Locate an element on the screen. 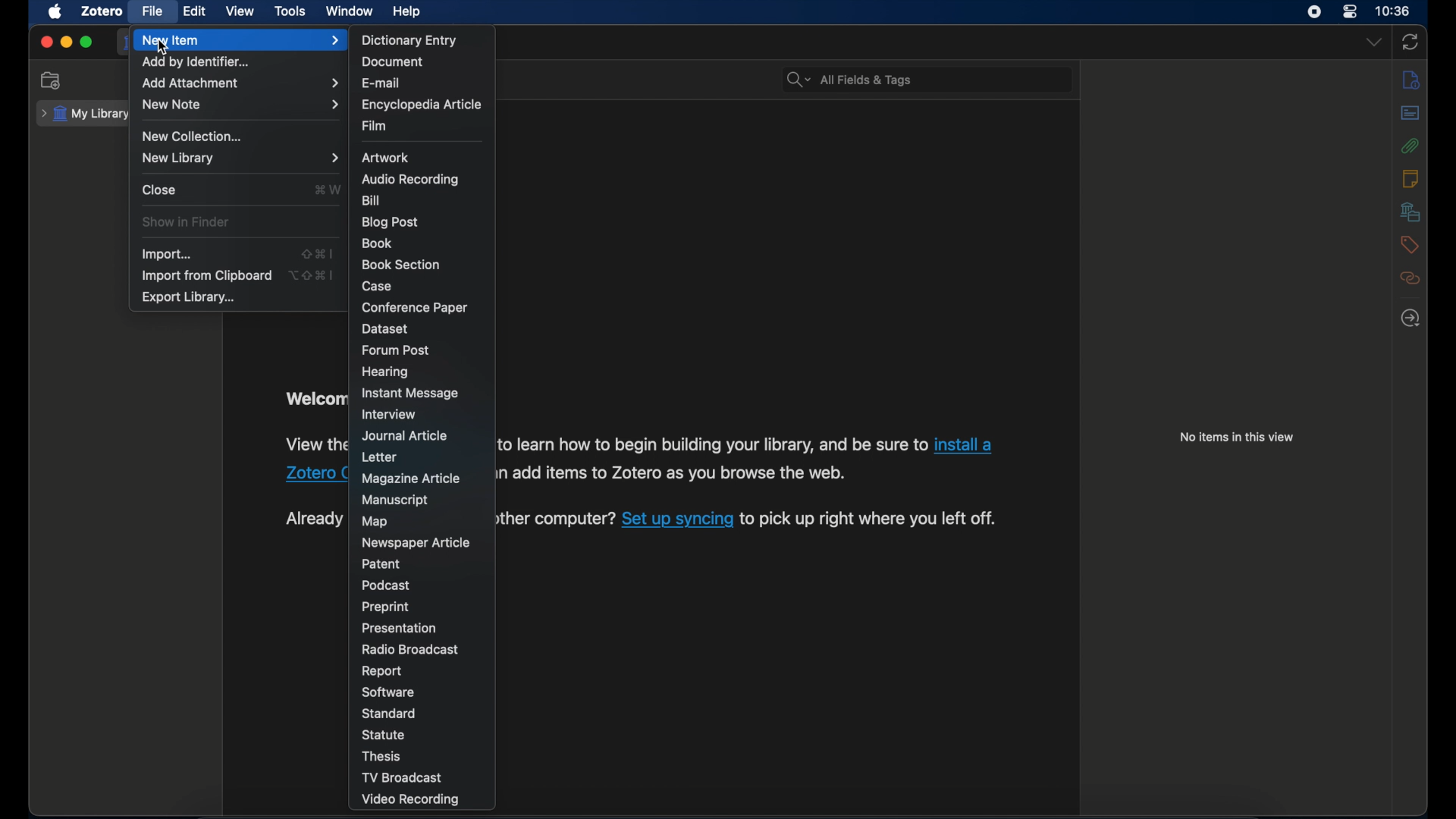 Image resolution: width=1456 pixels, height=819 pixels. cursor is located at coordinates (163, 48).